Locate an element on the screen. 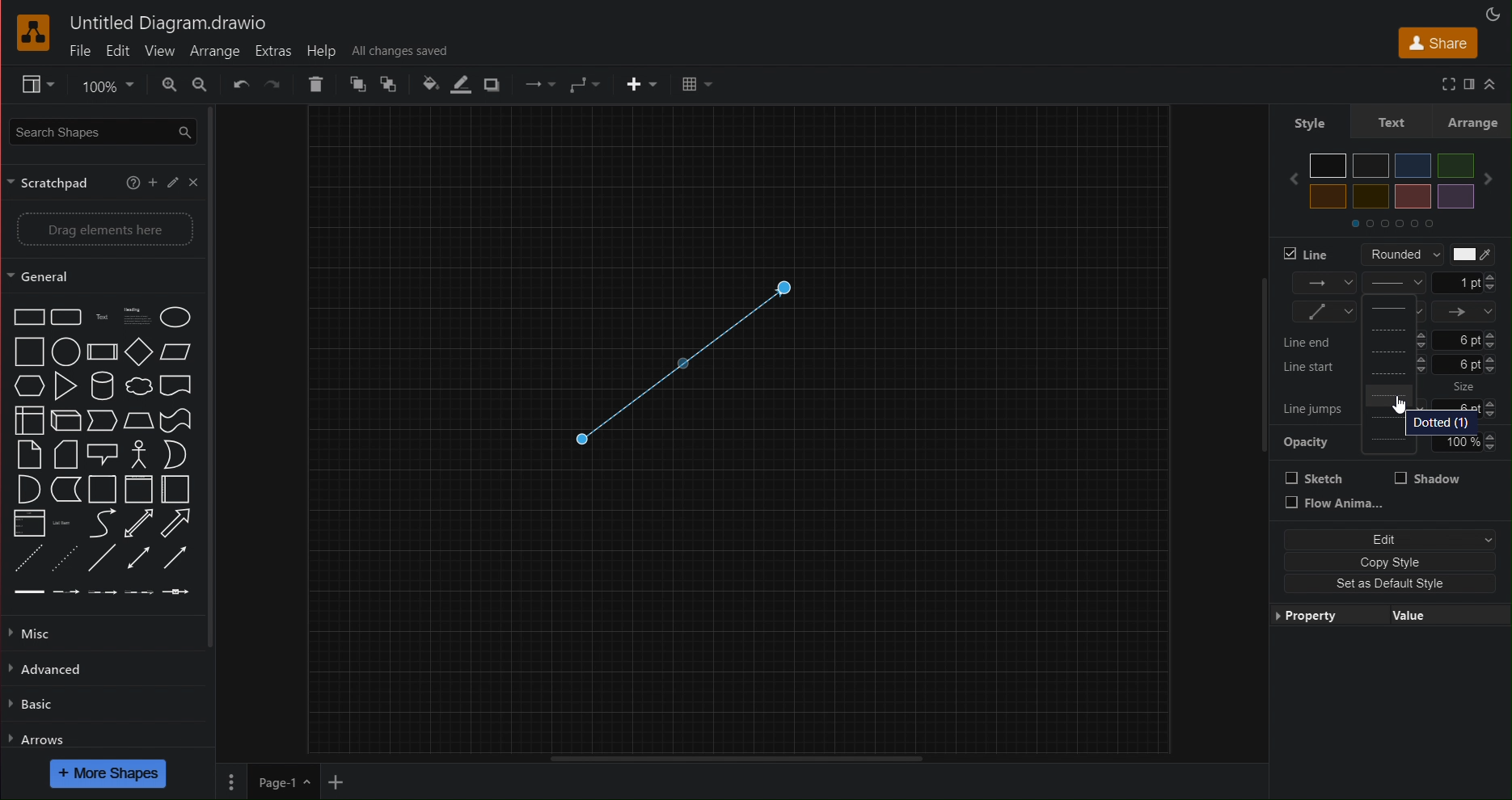  arrow up is located at coordinates (1491, 85).